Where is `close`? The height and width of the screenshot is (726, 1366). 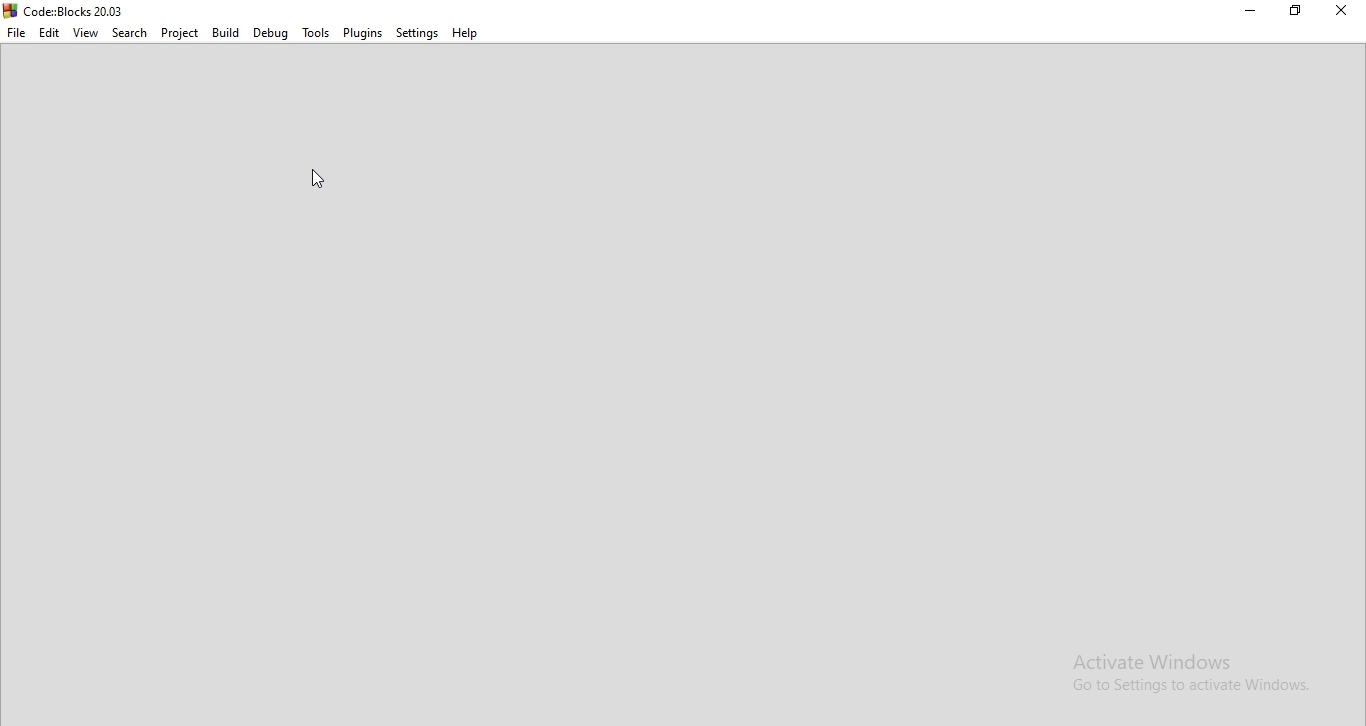
close is located at coordinates (1344, 10).